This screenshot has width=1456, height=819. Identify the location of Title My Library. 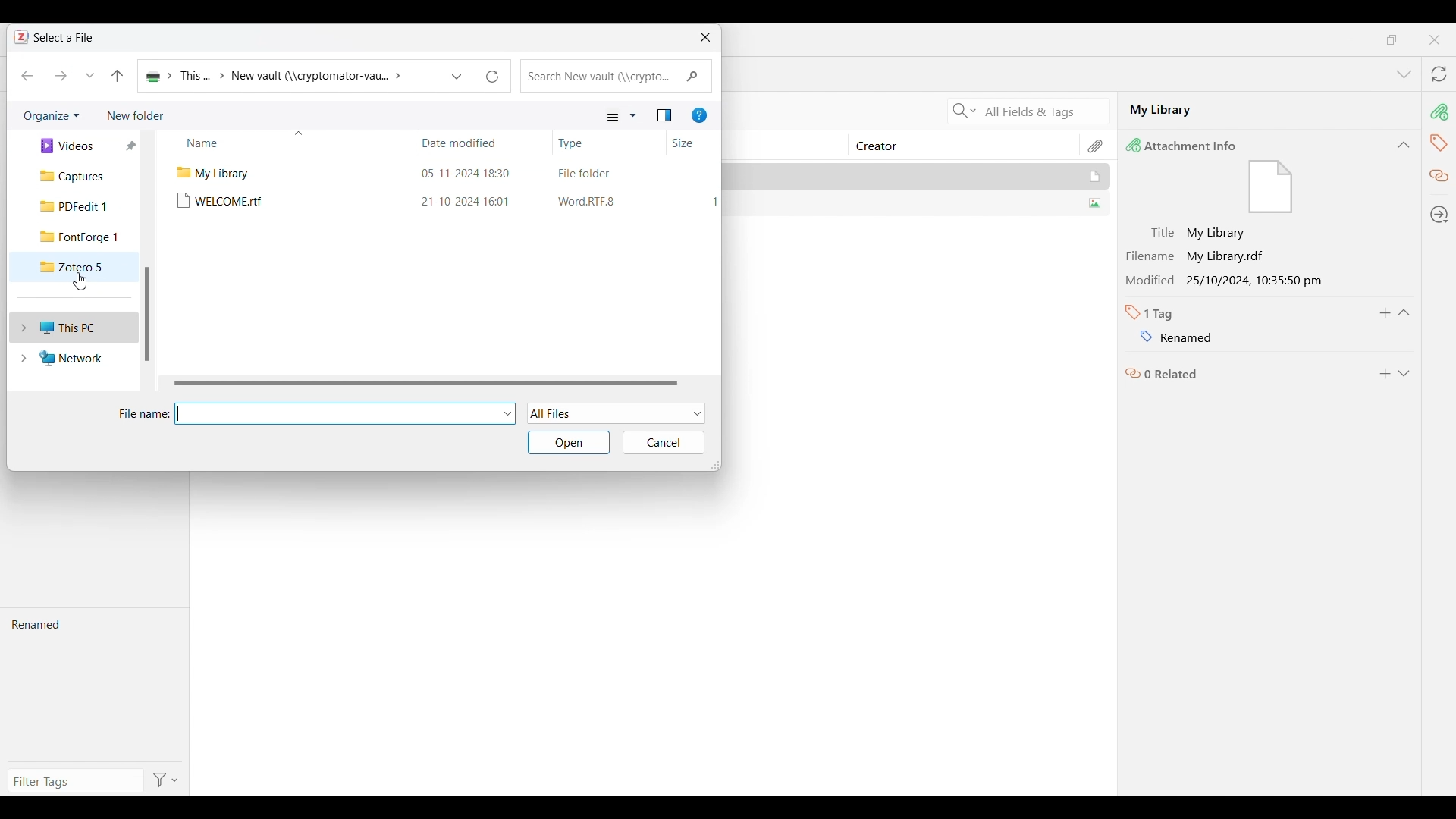
(1200, 230).